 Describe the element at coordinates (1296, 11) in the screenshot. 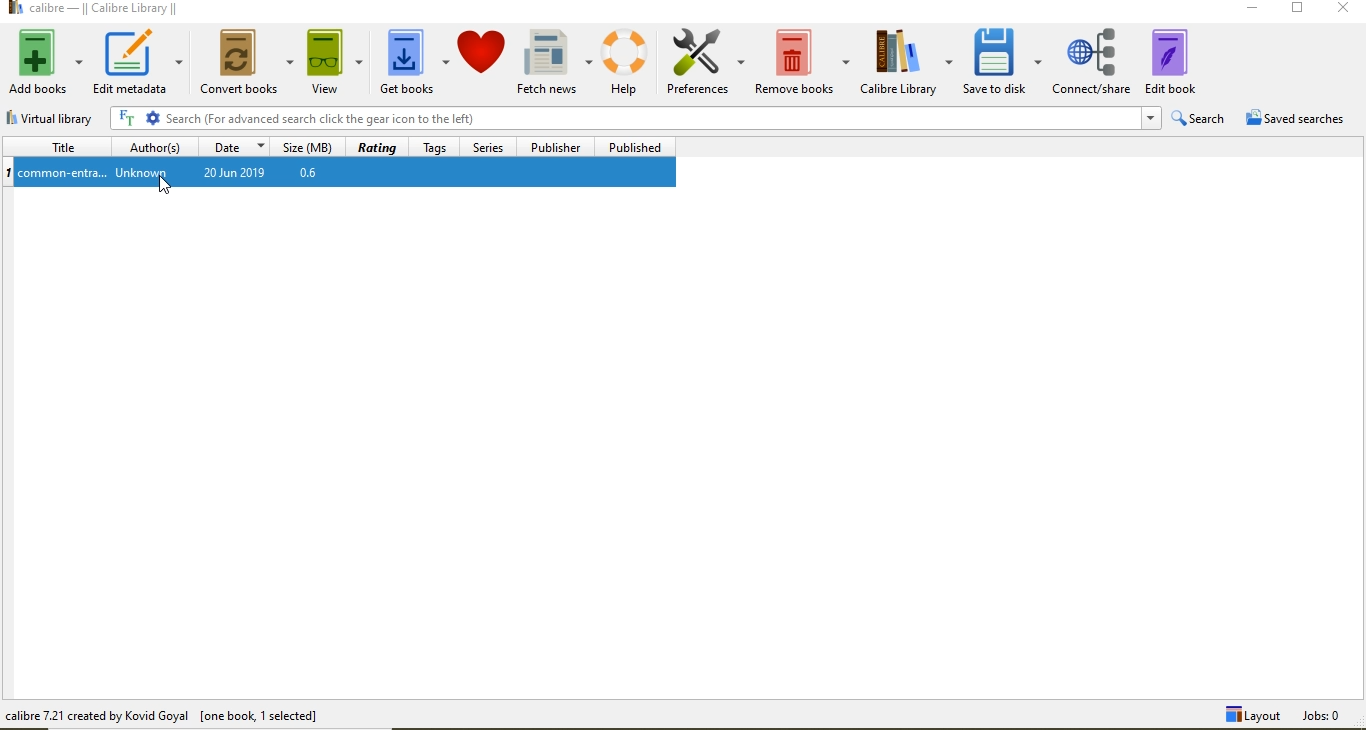

I see `Restore` at that location.